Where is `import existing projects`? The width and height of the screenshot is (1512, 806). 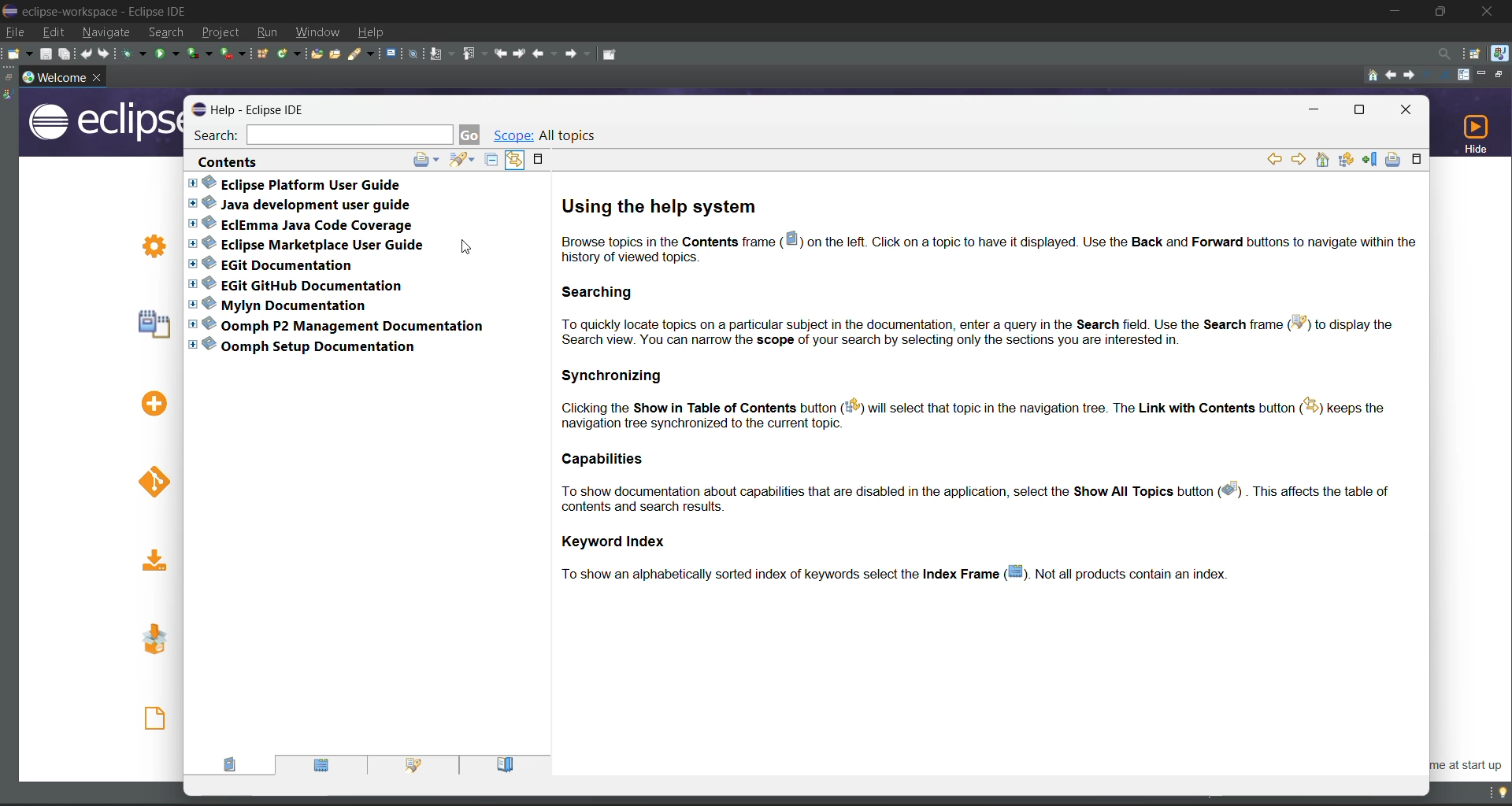
import existing projects is located at coordinates (155, 571).